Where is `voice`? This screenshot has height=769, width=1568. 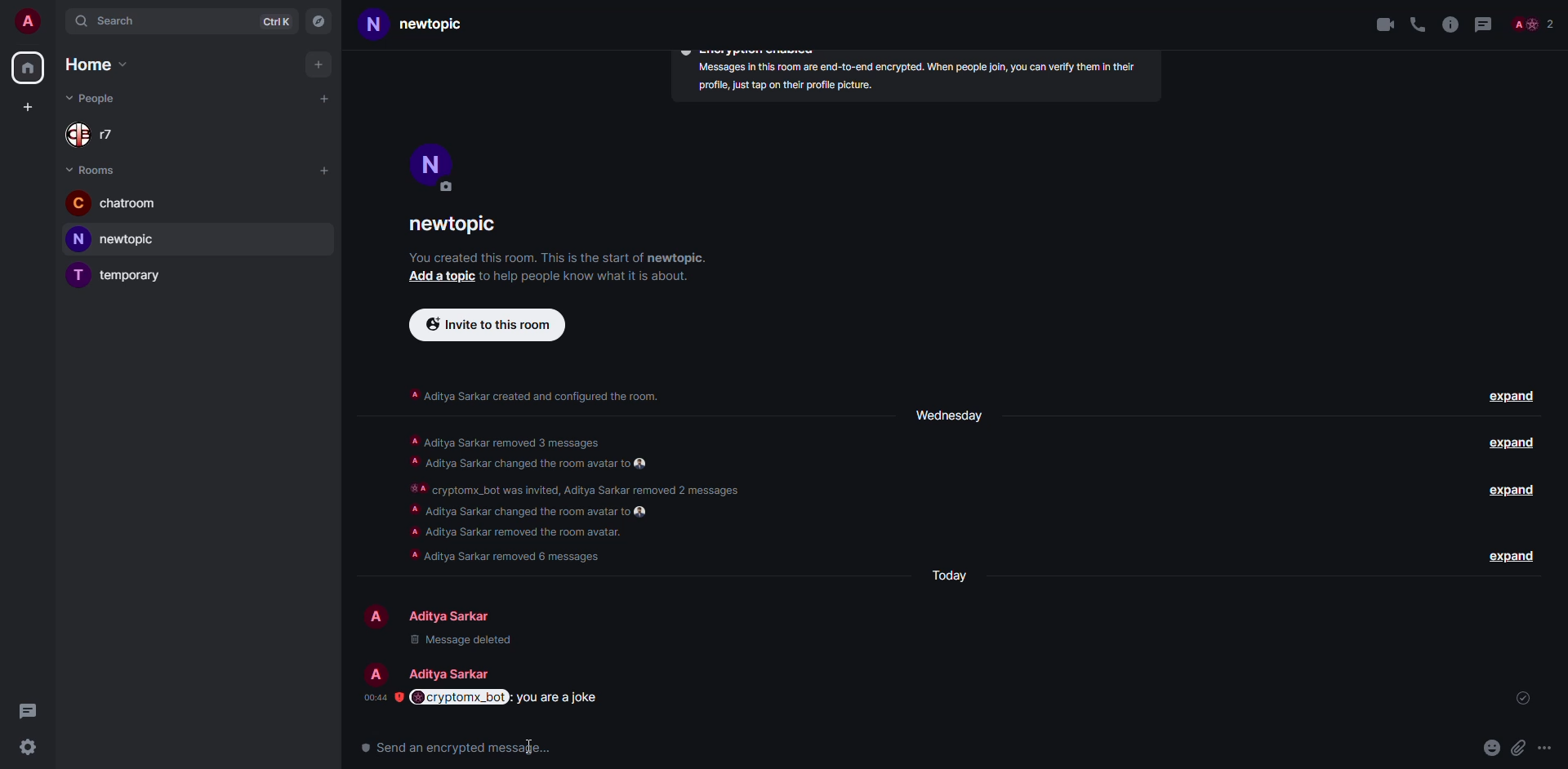 voice is located at coordinates (1414, 22).